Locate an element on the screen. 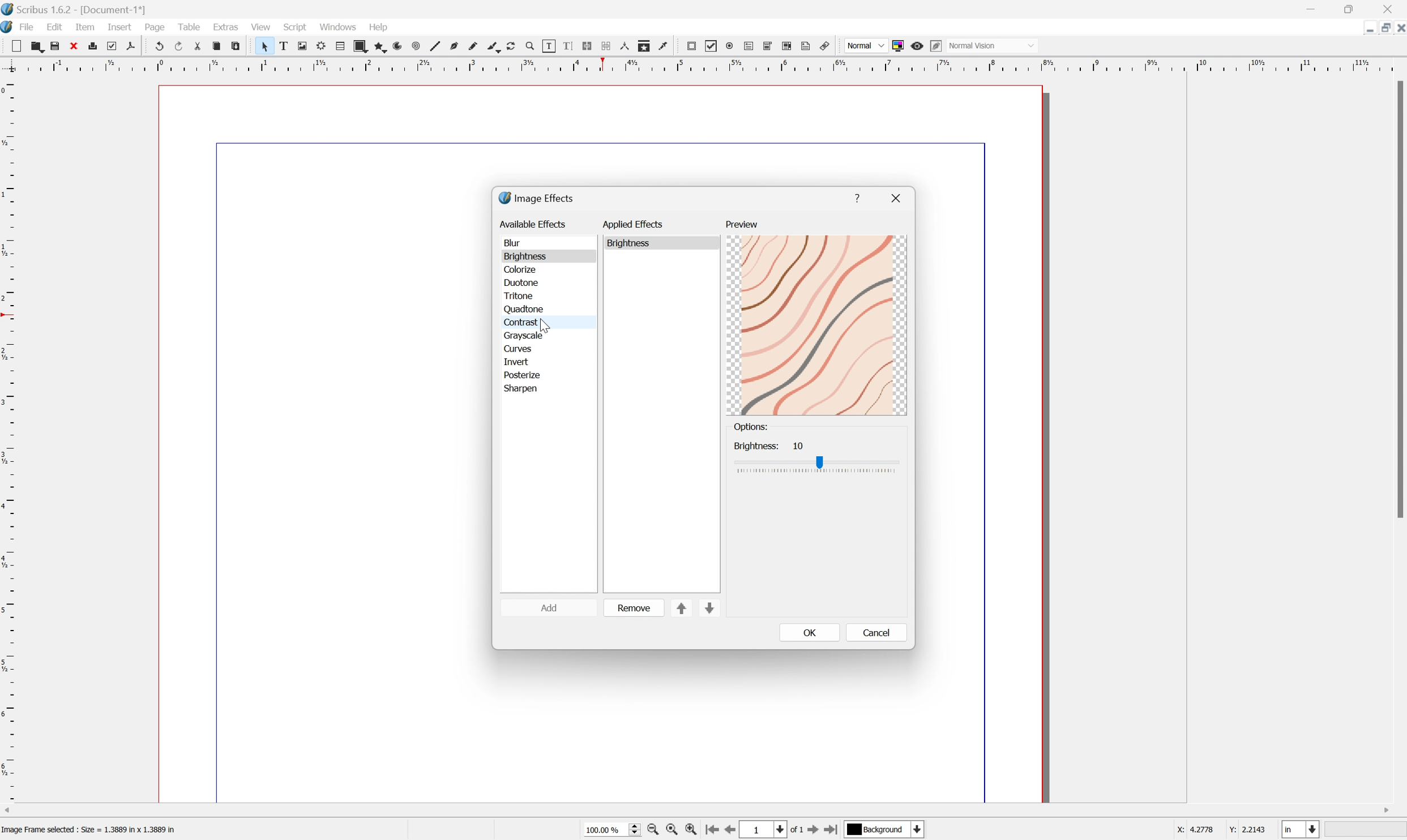 This screenshot has height=840, width=1407. Minimize is located at coordinates (1386, 29).